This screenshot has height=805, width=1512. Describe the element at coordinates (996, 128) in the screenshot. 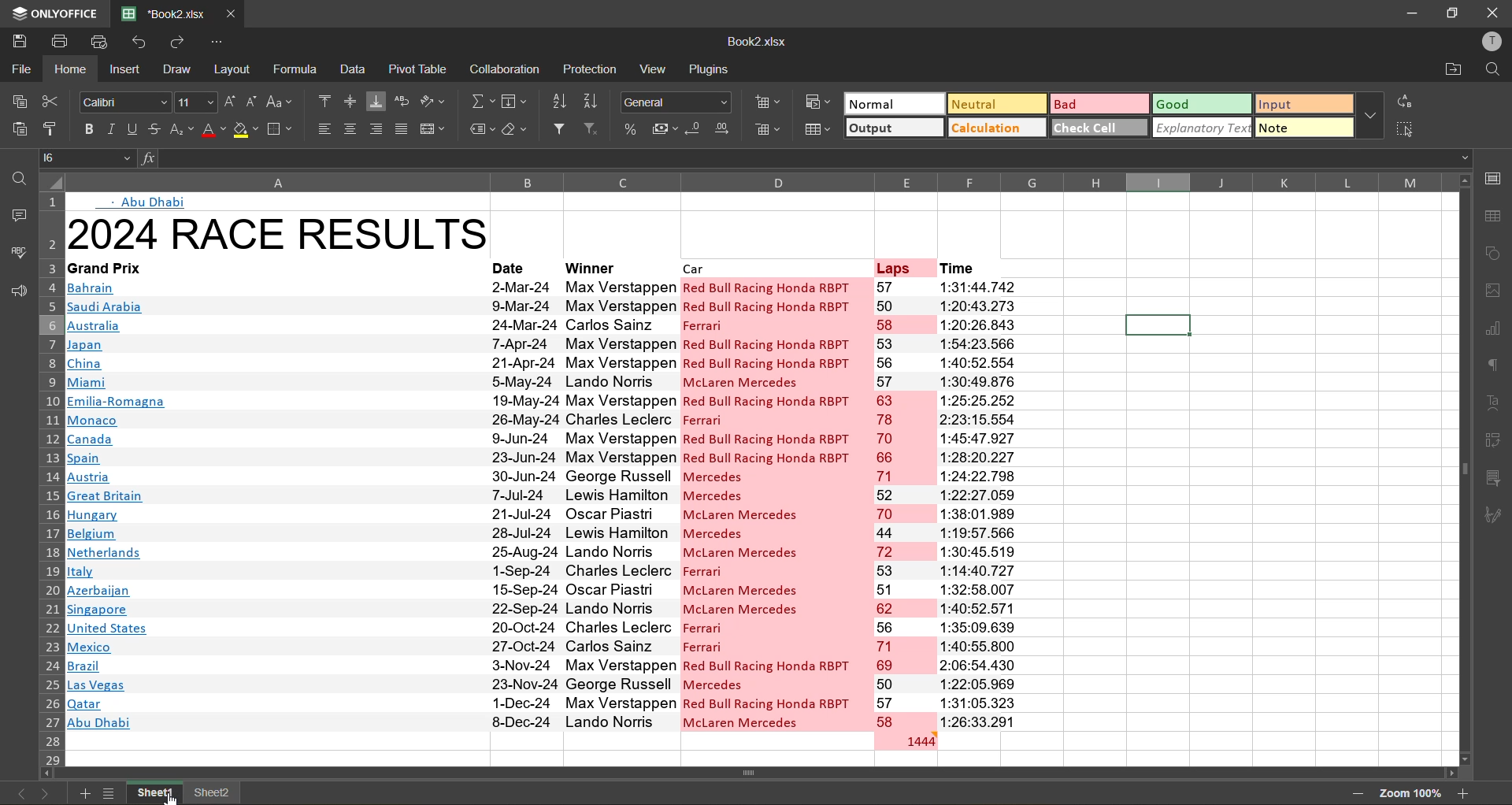

I see `calculation` at that location.